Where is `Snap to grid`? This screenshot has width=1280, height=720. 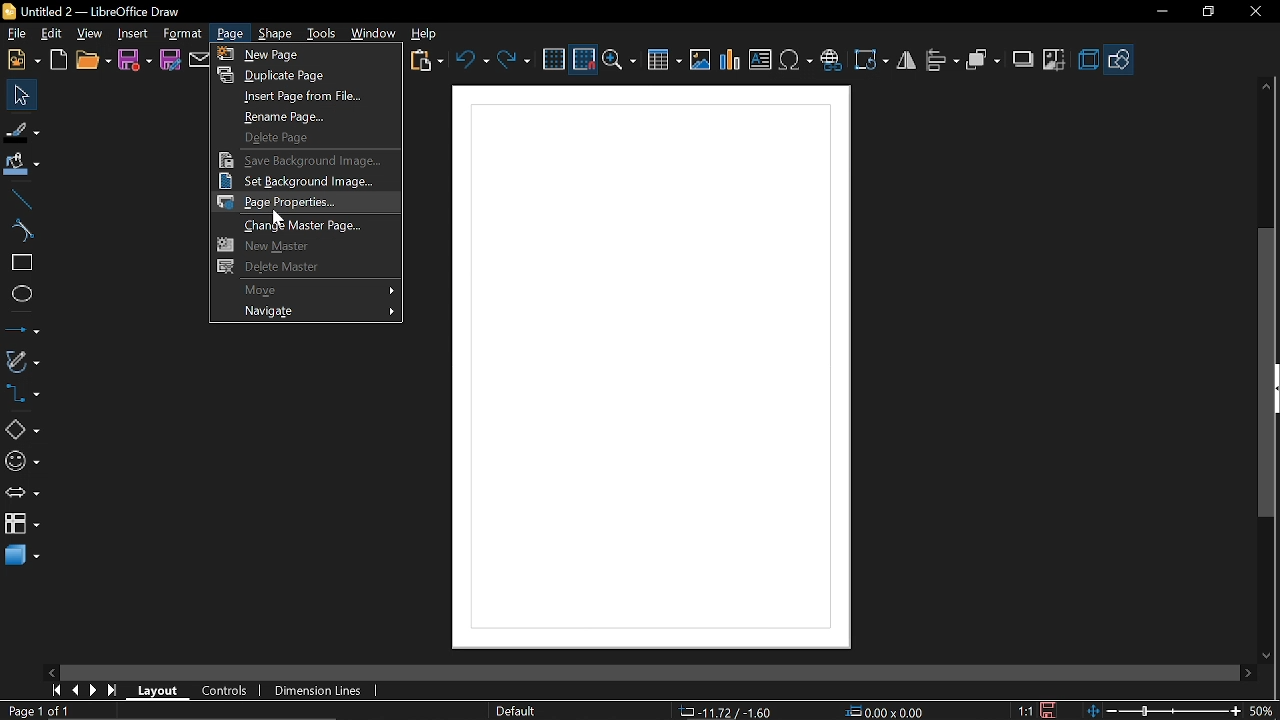 Snap to grid is located at coordinates (584, 59).